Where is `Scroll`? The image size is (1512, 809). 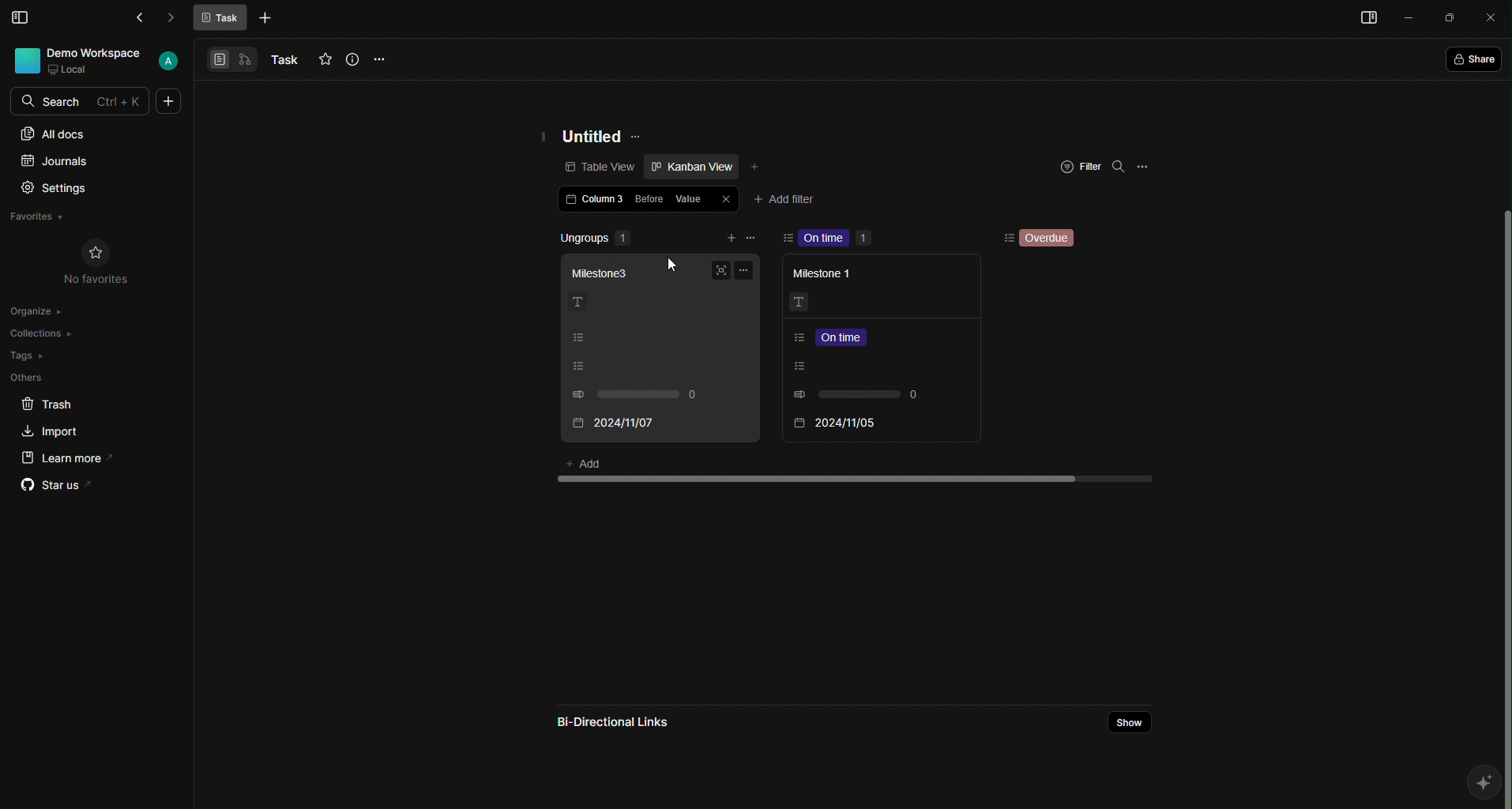 Scroll is located at coordinates (1502, 425).